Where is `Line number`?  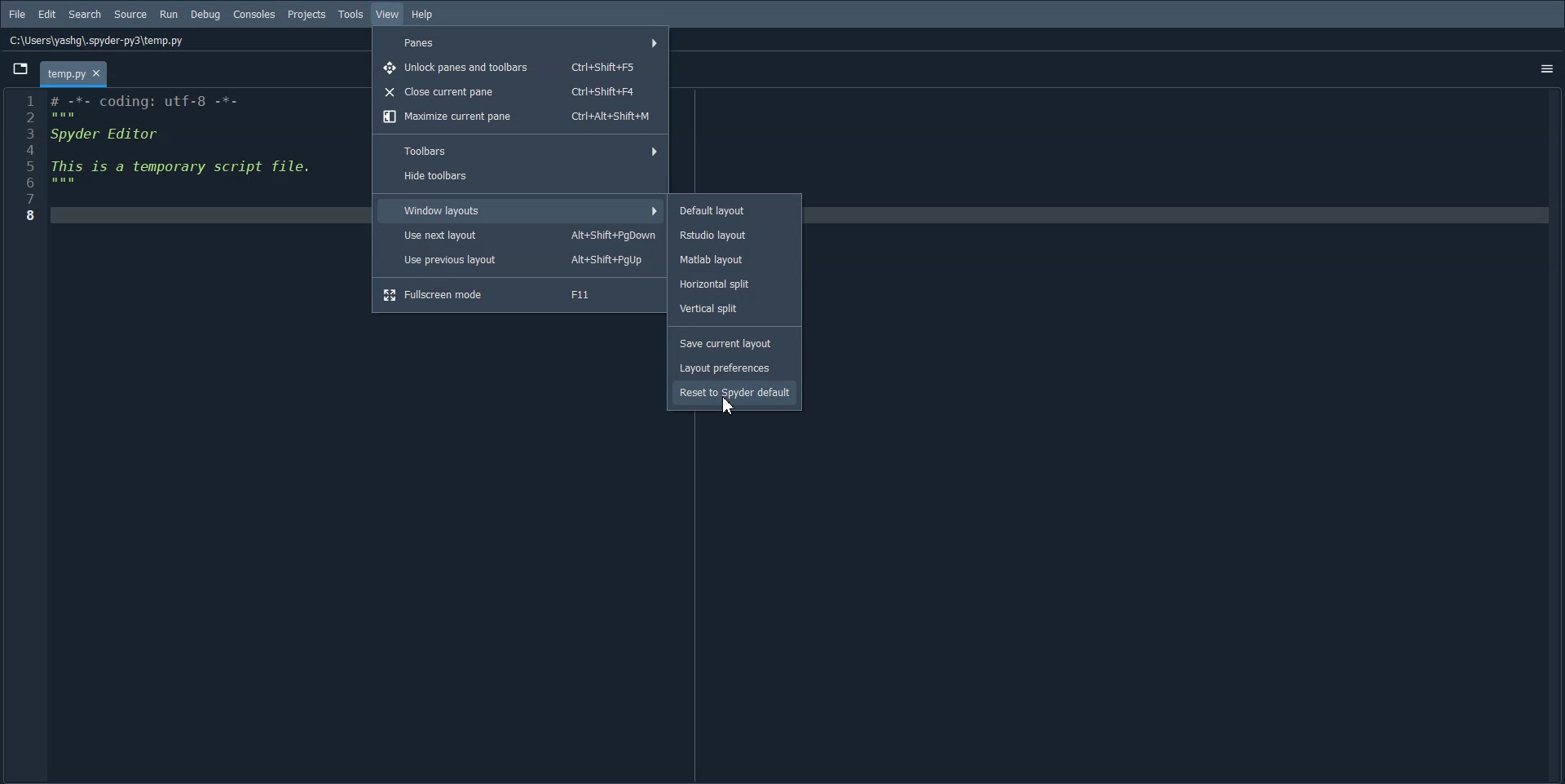 Line number is located at coordinates (24, 157).